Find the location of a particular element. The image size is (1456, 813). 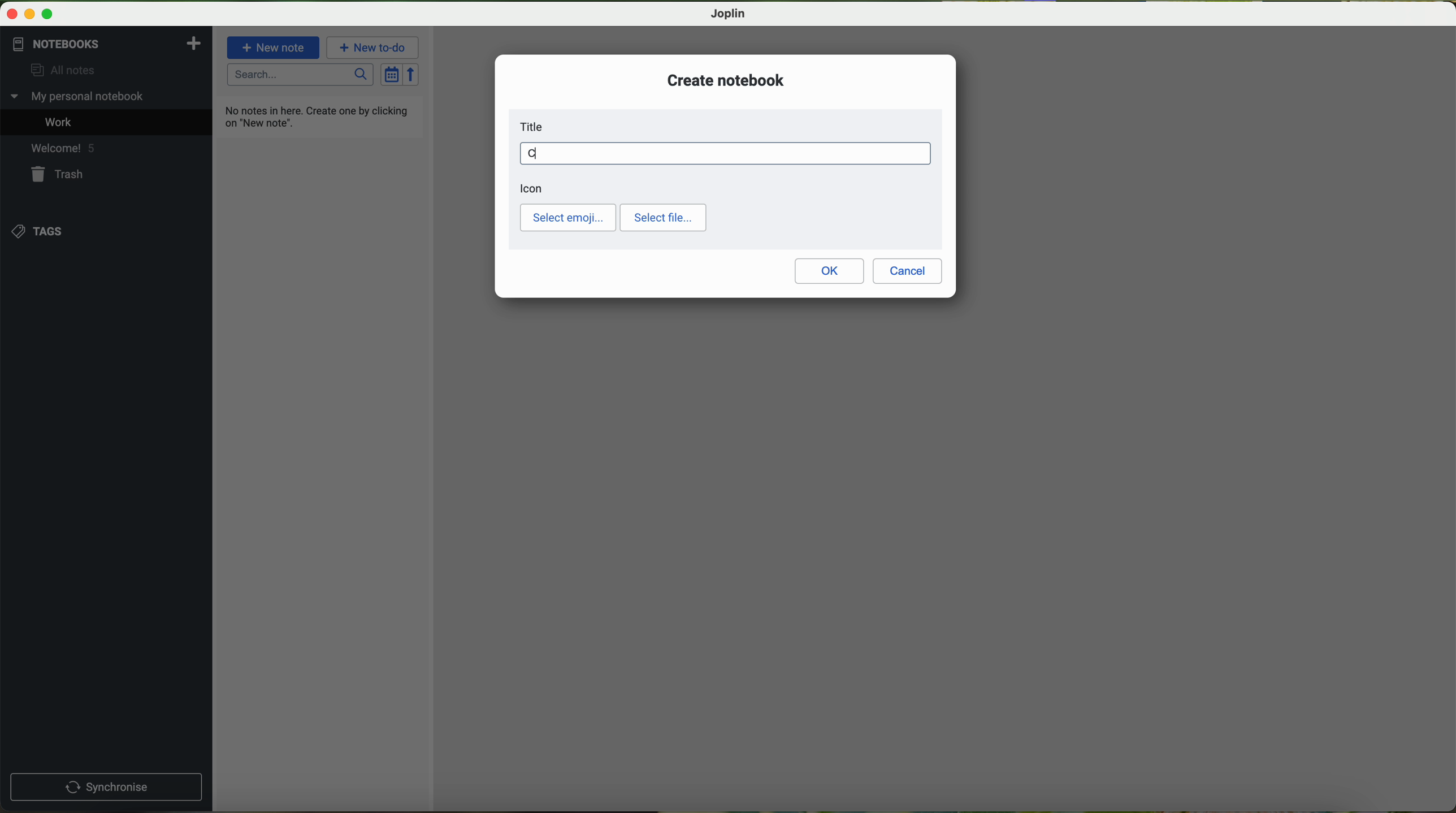

OK is located at coordinates (829, 271).